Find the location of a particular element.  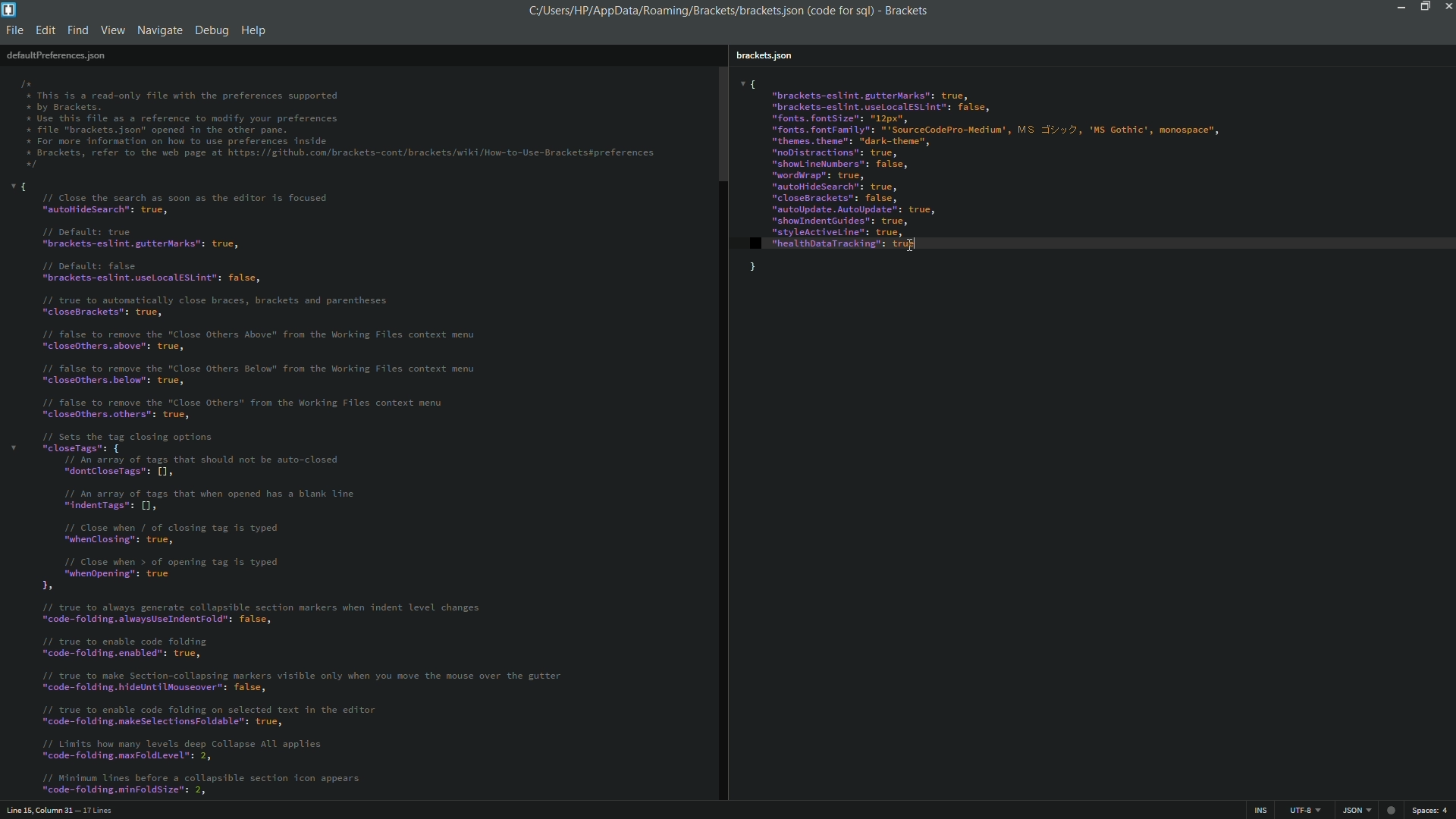

Minimize is located at coordinates (1398, 6).